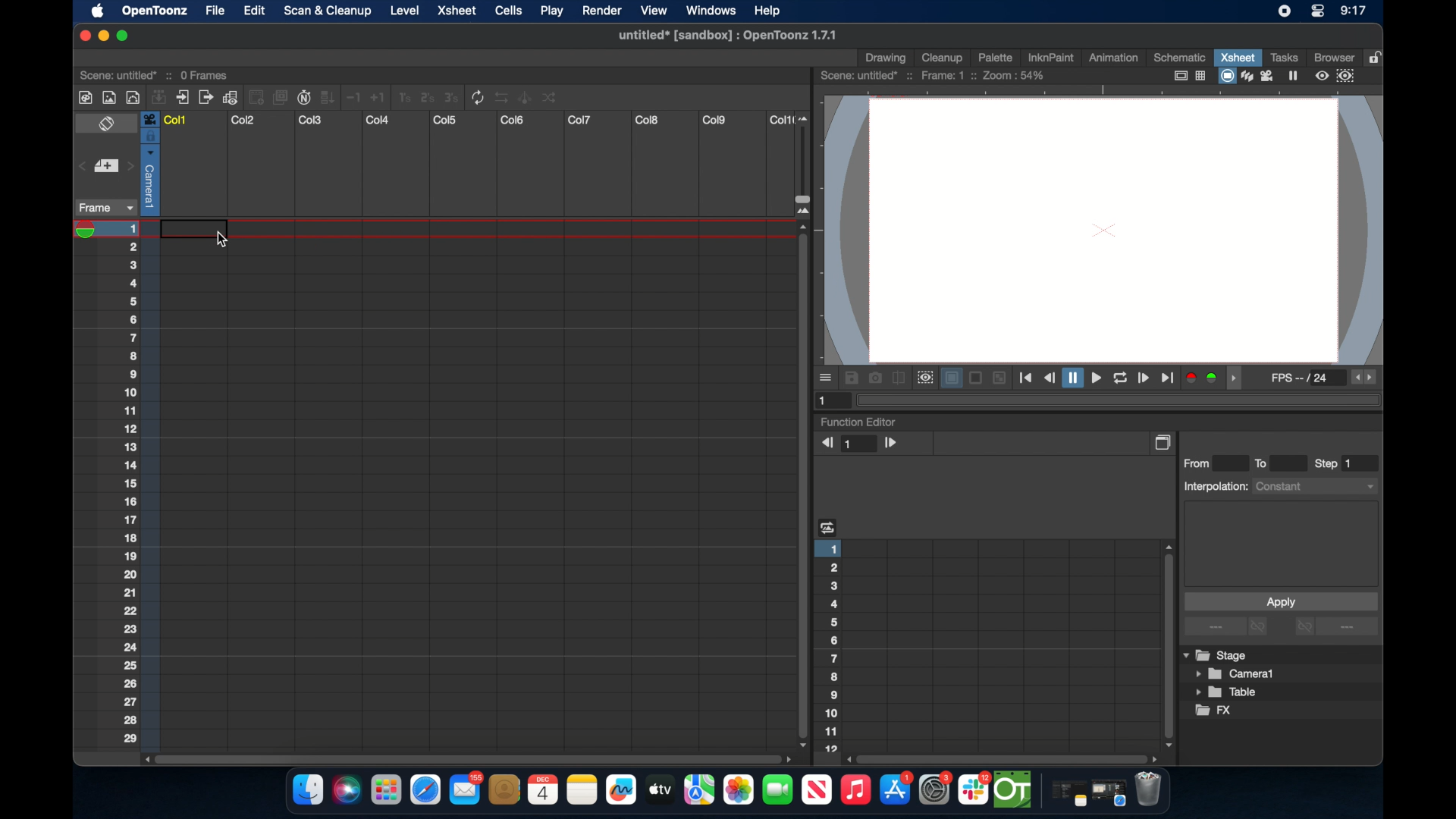 This screenshot has width=1456, height=819. I want to click on scene, so click(934, 76).